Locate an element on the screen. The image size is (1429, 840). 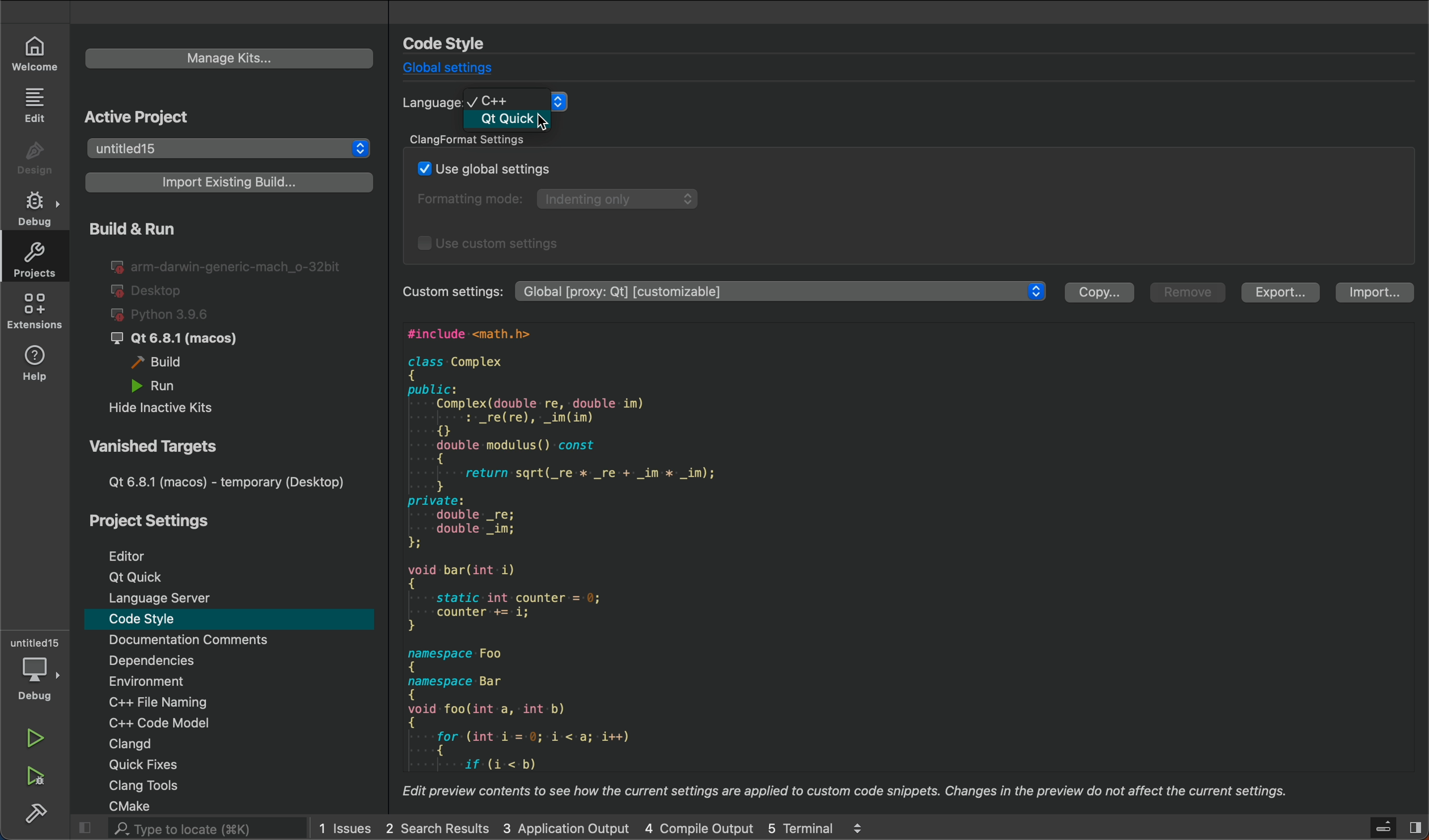
build types is located at coordinates (219, 320).